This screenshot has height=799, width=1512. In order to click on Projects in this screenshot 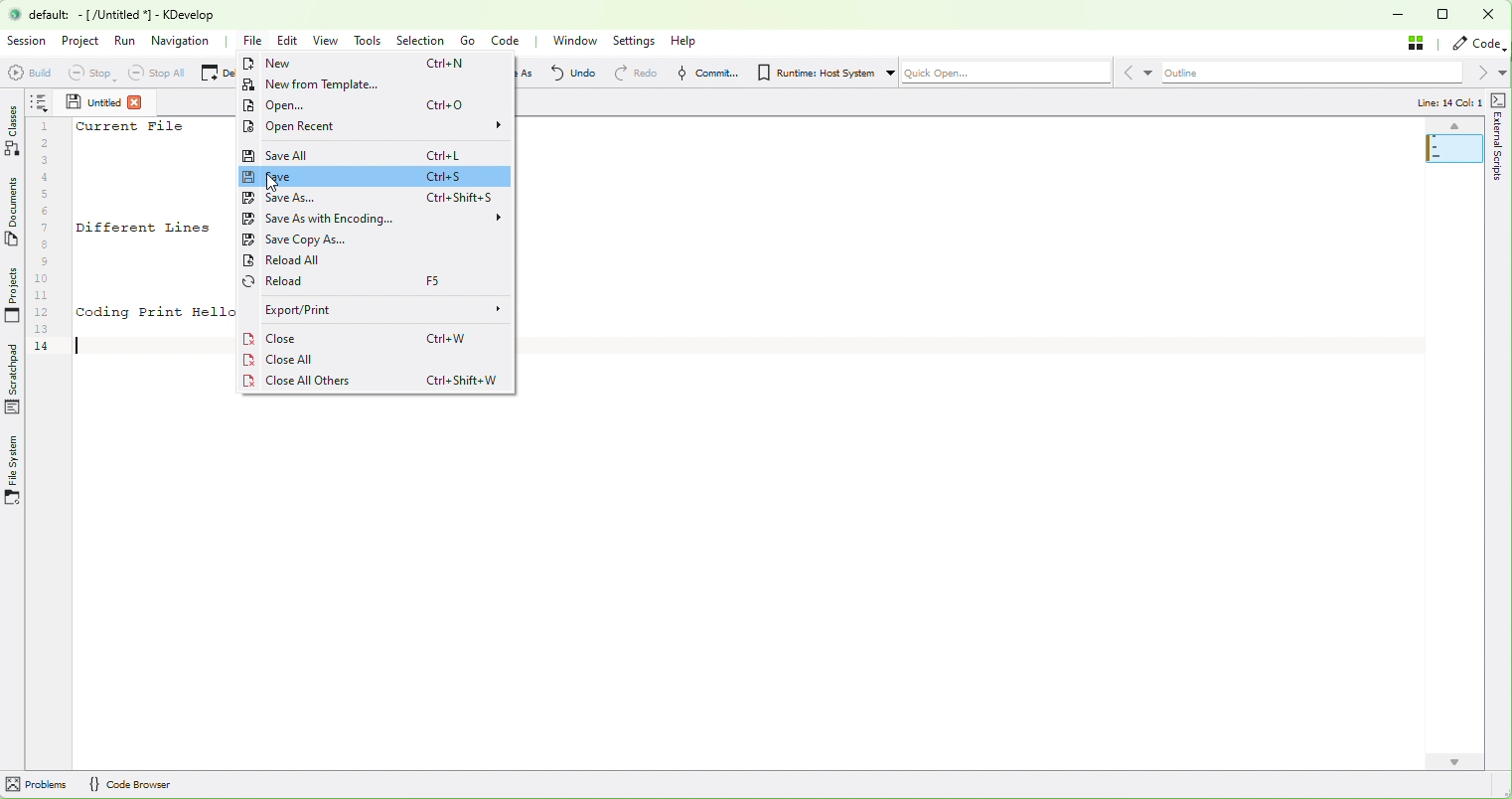, I will do `click(12, 295)`.